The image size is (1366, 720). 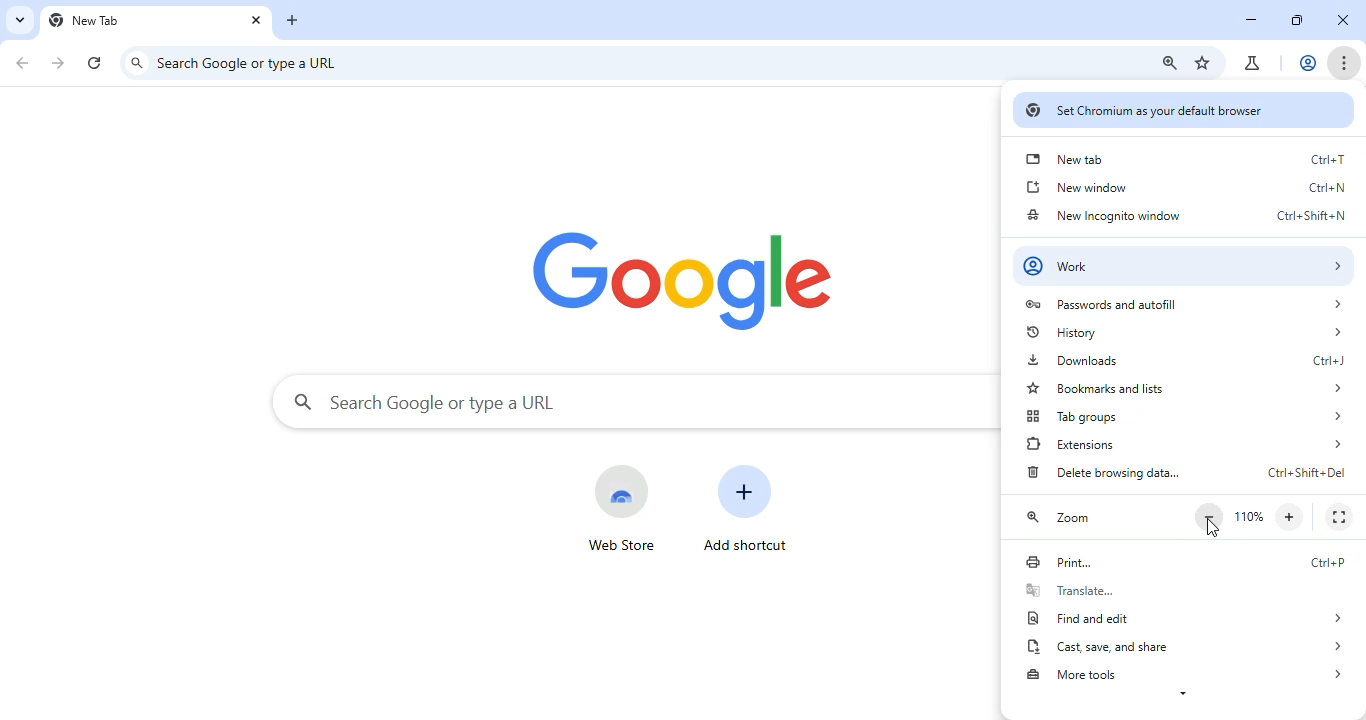 What do you see at coordinates (1185, 418) in the screenshot?
I see `tab groups` at bounding box center [1185, 418].